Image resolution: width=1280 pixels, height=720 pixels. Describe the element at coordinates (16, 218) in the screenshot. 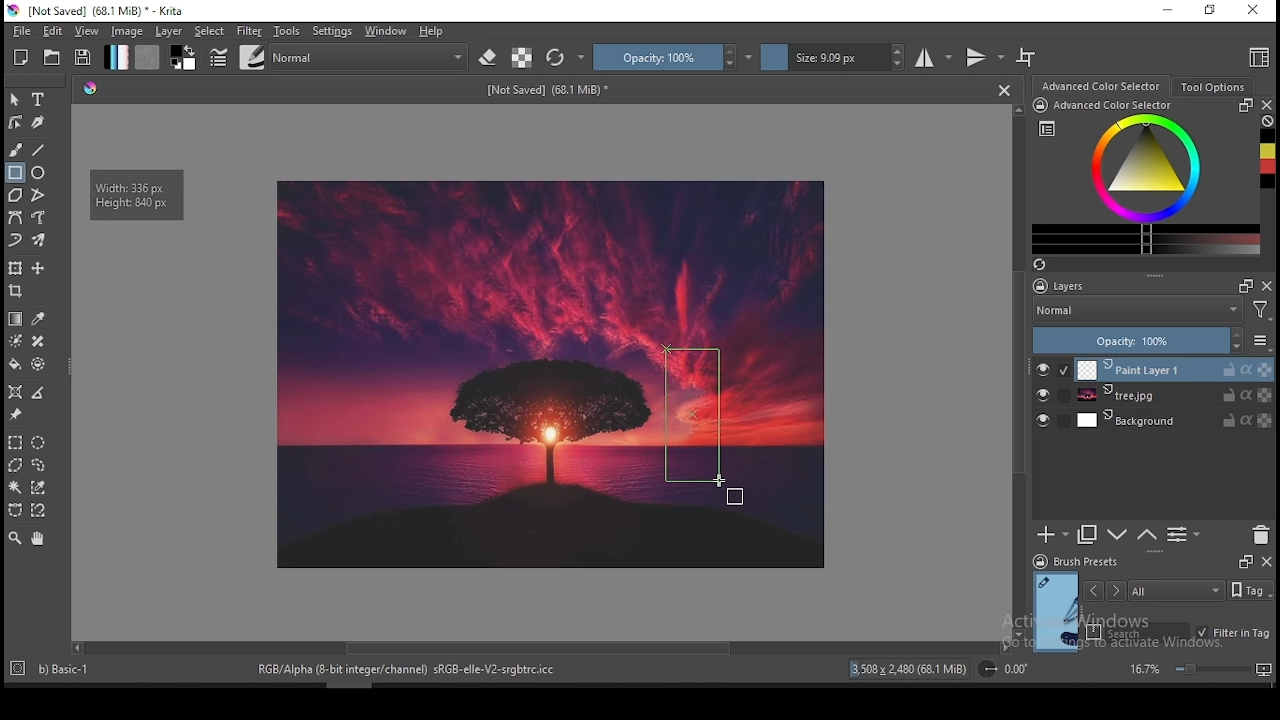

I see `bezier curve tool` at that location.